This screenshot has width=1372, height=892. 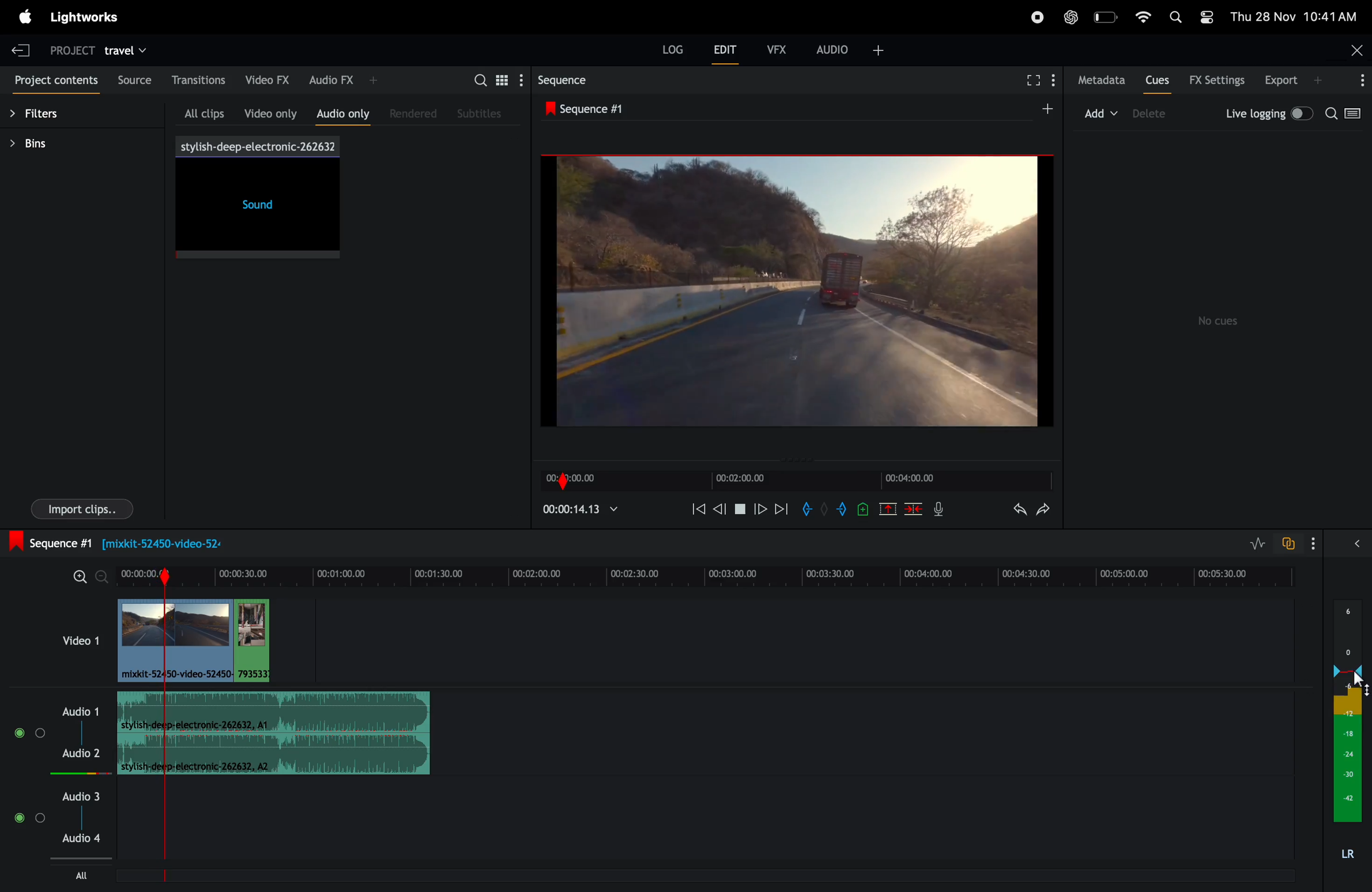 What do you see at coordinates (196, 111) in the screenshot?
I see `all clips` at bounding box center [196, 111].